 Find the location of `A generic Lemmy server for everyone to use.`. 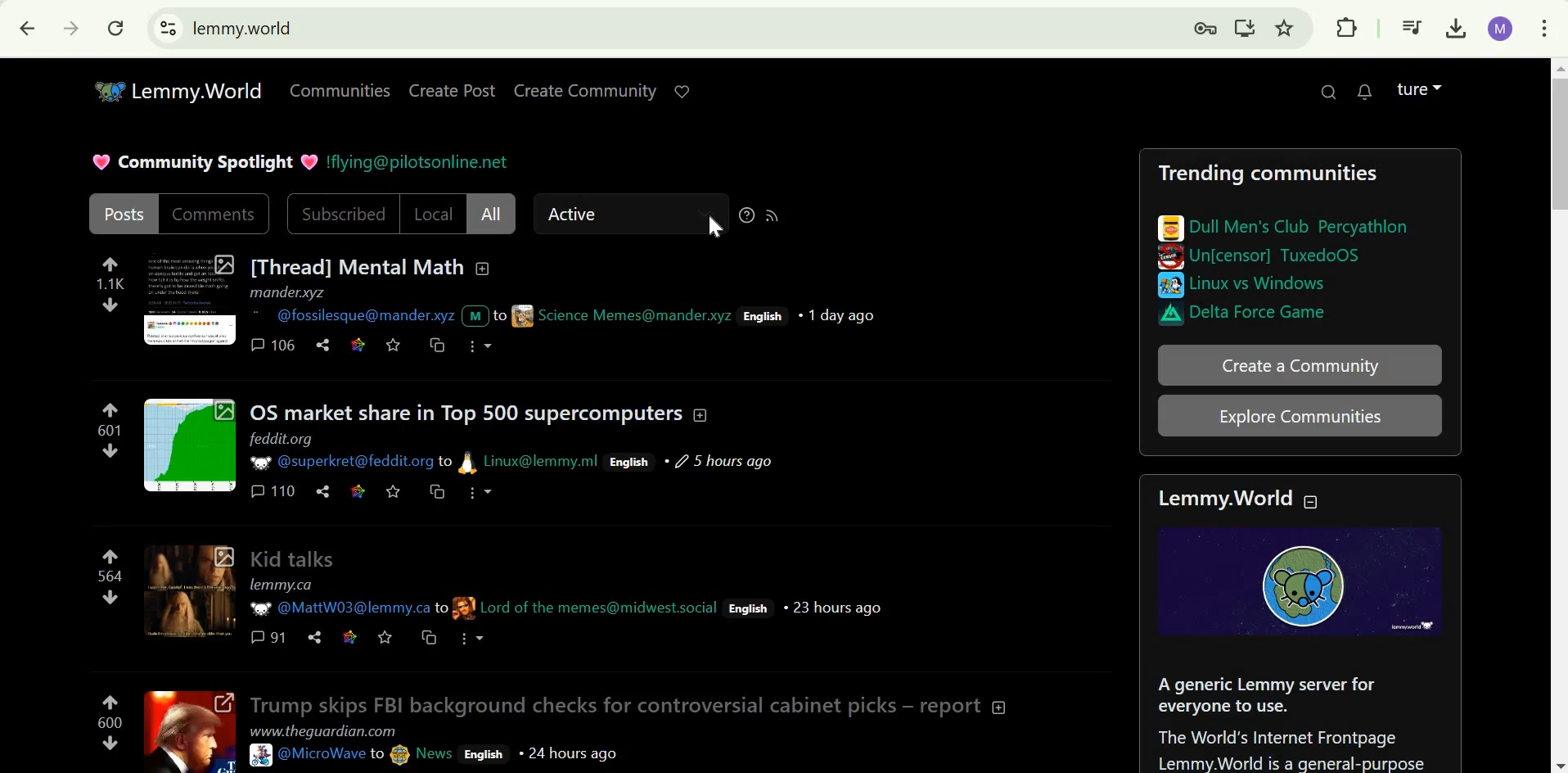

A generic Lemmy server for everyone to use. is located at coordinates (1271, 693).